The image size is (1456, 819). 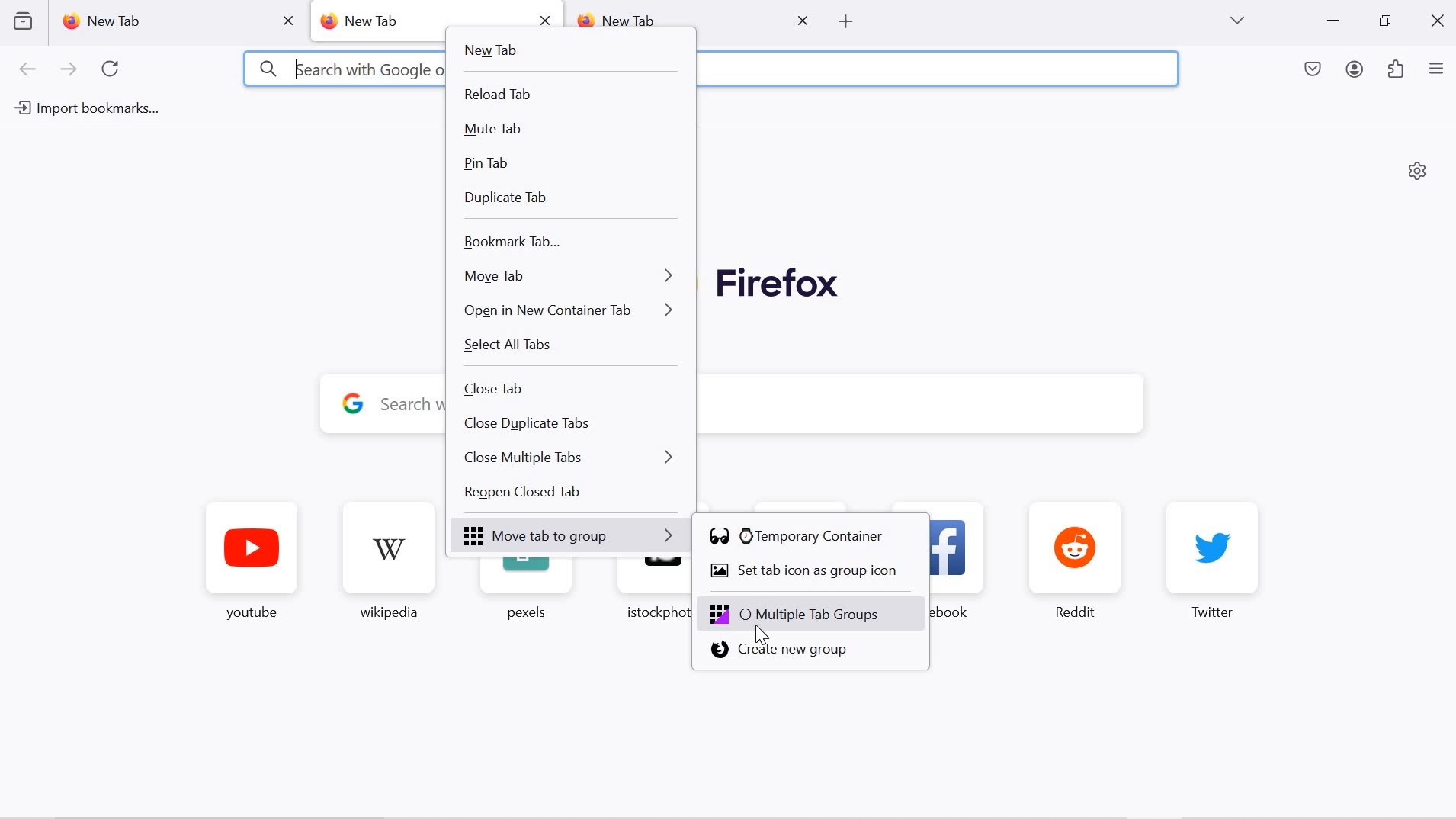 I want to click on Reopen closed tab, so click(x=573, y=495).